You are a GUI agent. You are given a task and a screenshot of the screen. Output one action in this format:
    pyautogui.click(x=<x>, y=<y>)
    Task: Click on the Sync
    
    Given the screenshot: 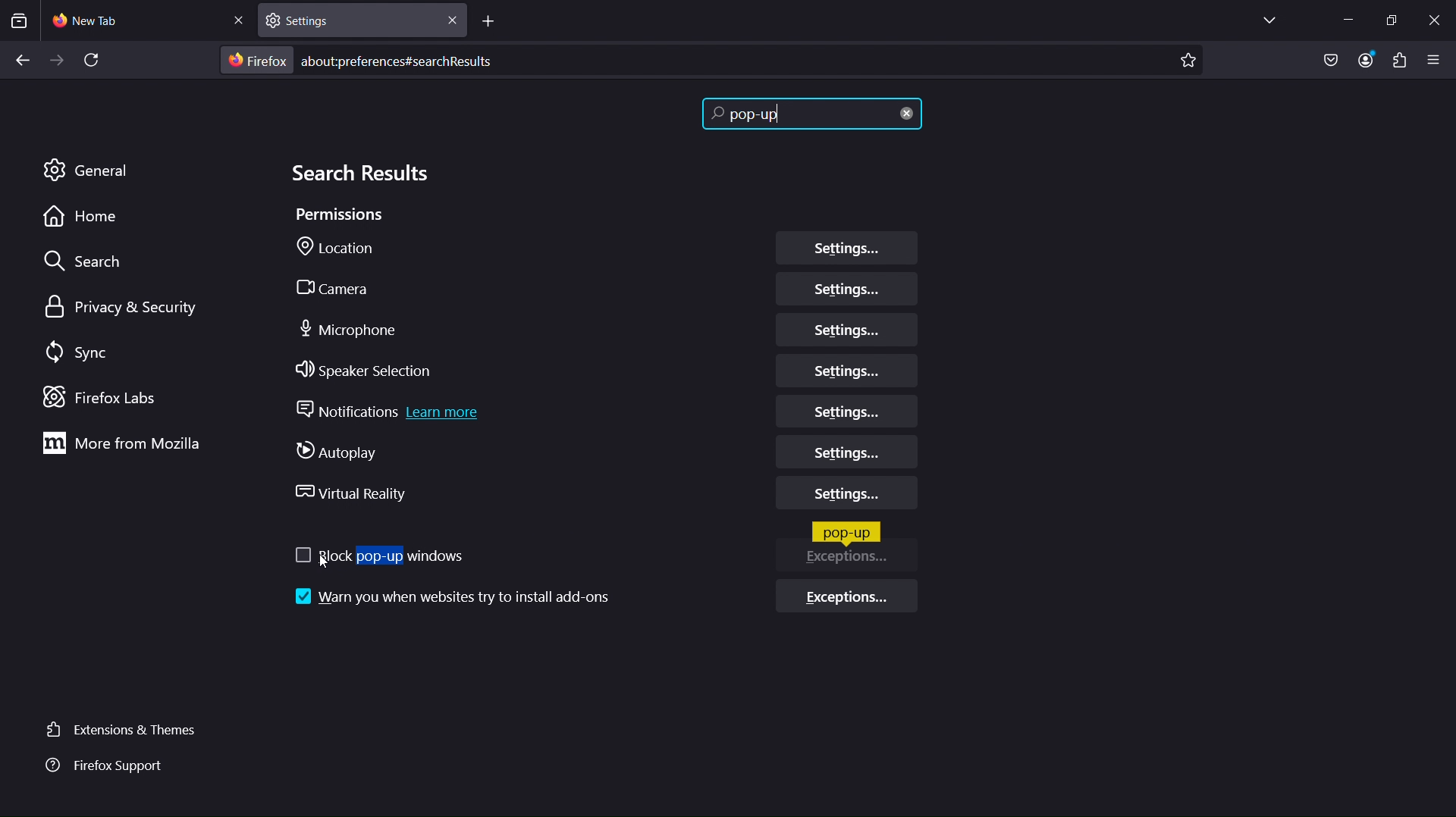 What is the action you would take?
    pyautogui.click(x=87, y=352)
    